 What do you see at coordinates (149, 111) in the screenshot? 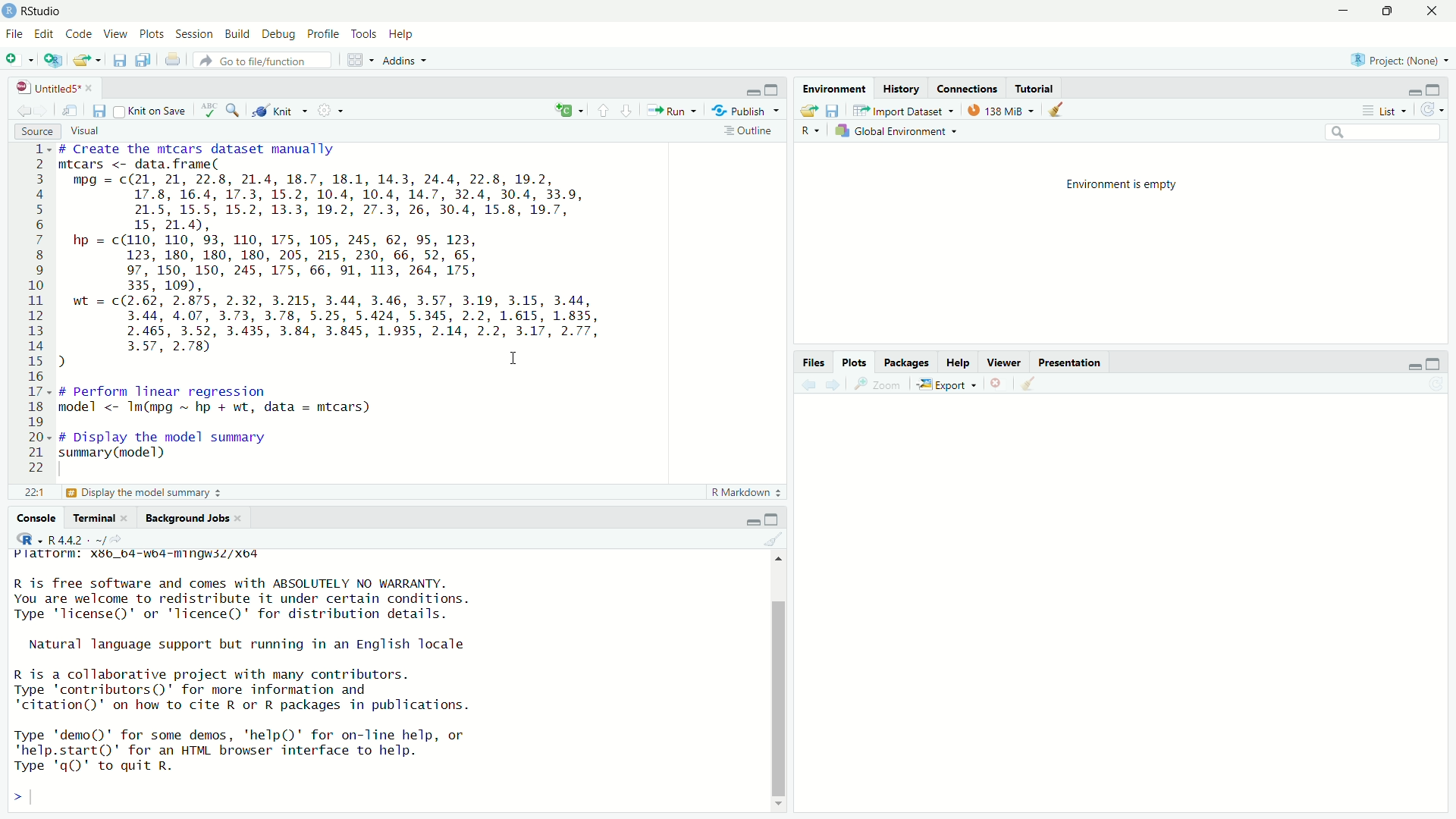
I see `knit on save` at bounding box center [149, 111].